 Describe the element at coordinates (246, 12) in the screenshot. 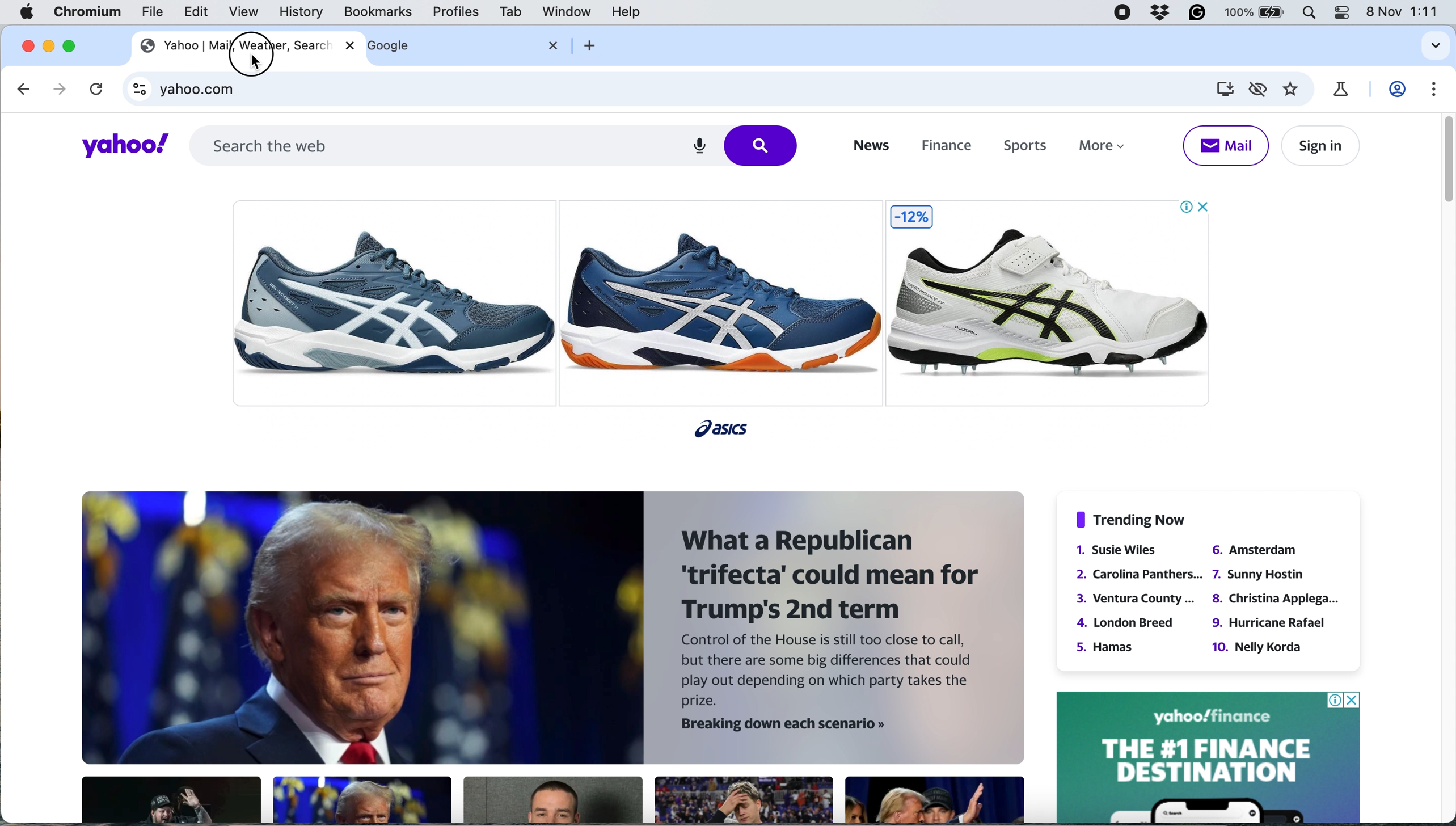

I see `view` at that location.